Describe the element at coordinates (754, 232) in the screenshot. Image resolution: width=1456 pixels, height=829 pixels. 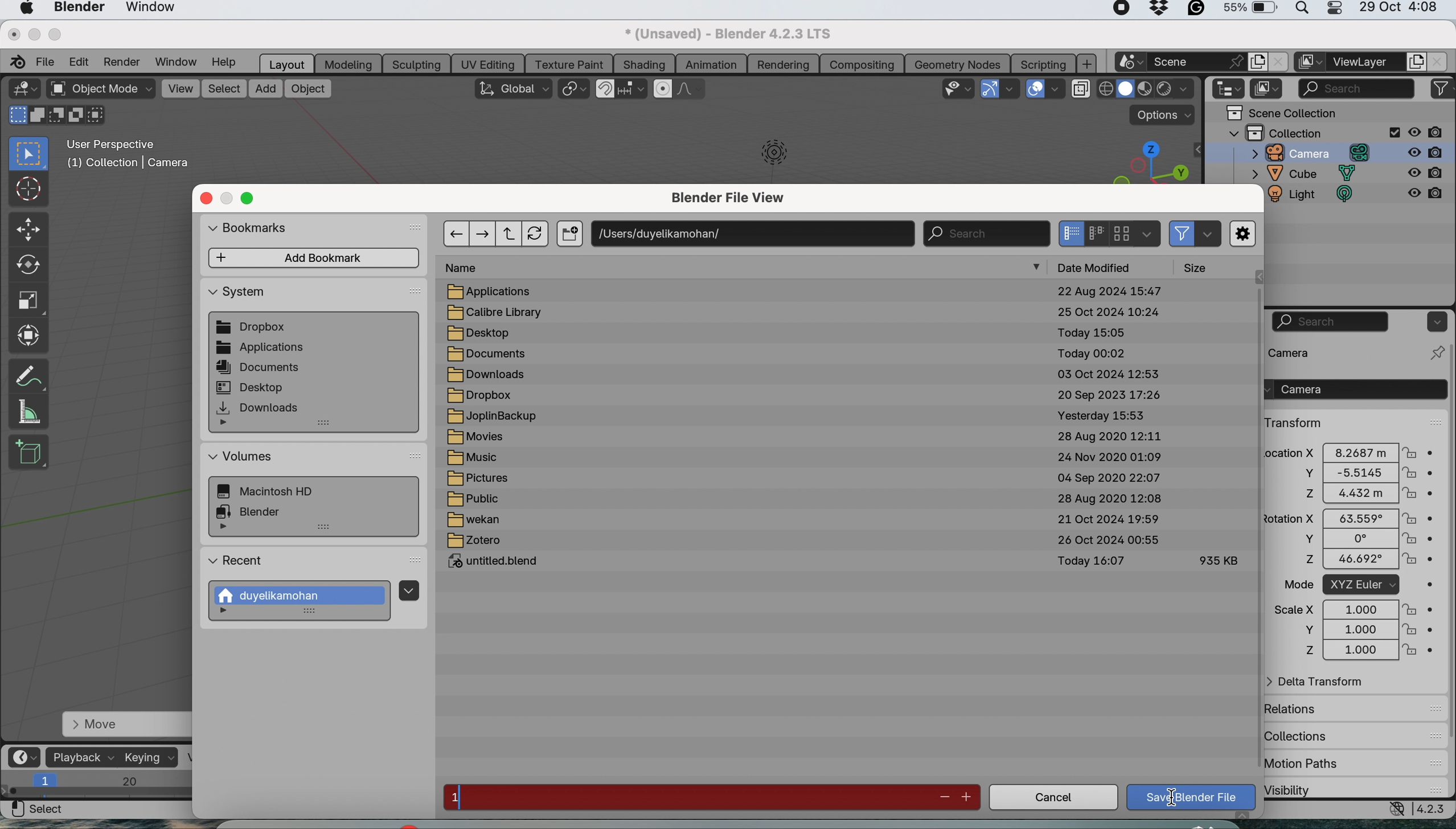
I see `save location` at that location.